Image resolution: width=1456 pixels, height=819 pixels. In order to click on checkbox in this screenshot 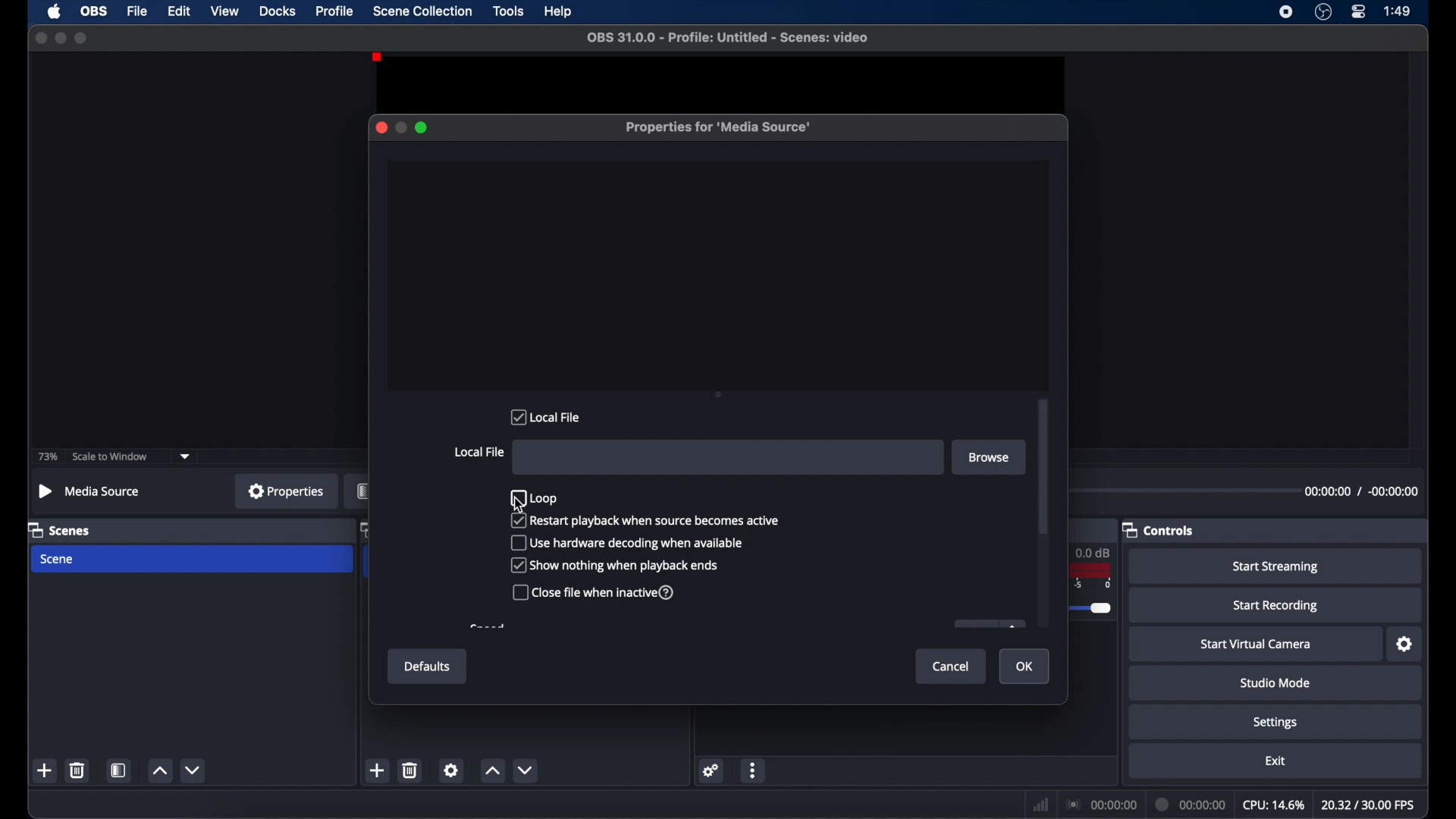, I will do `click(533, 497)`.